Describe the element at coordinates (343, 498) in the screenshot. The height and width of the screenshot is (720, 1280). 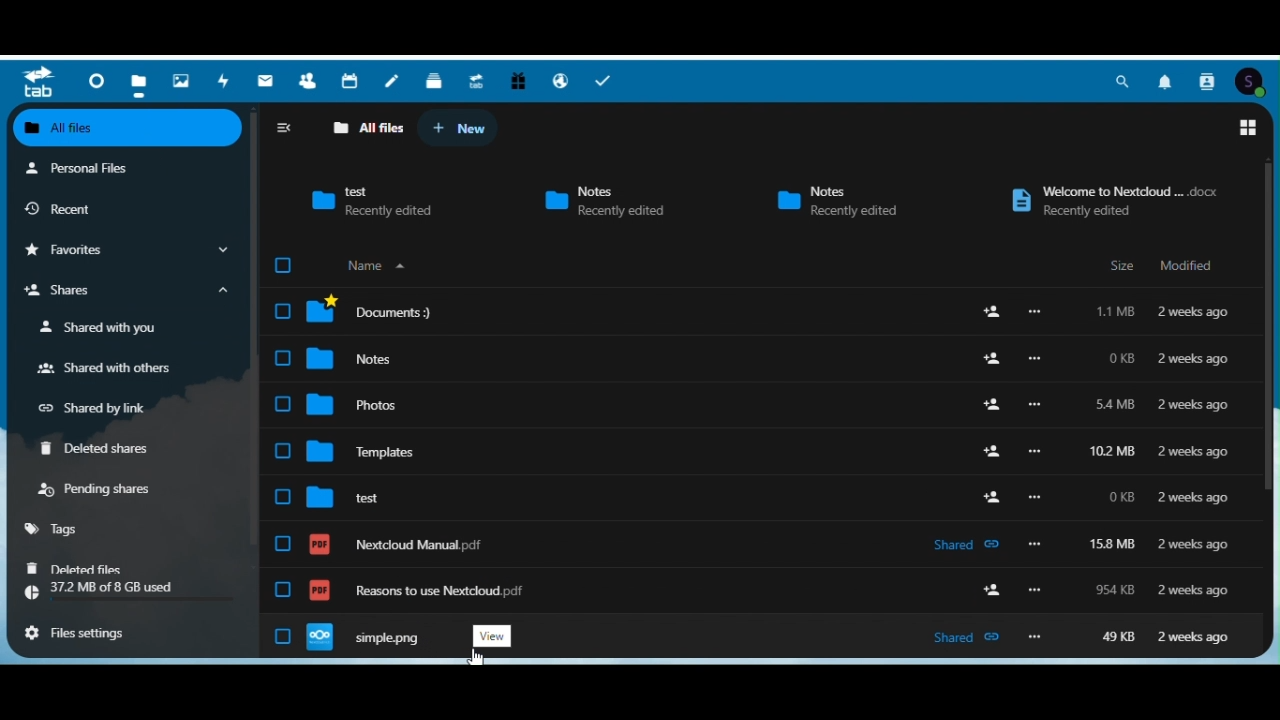
I see `test` at that location.